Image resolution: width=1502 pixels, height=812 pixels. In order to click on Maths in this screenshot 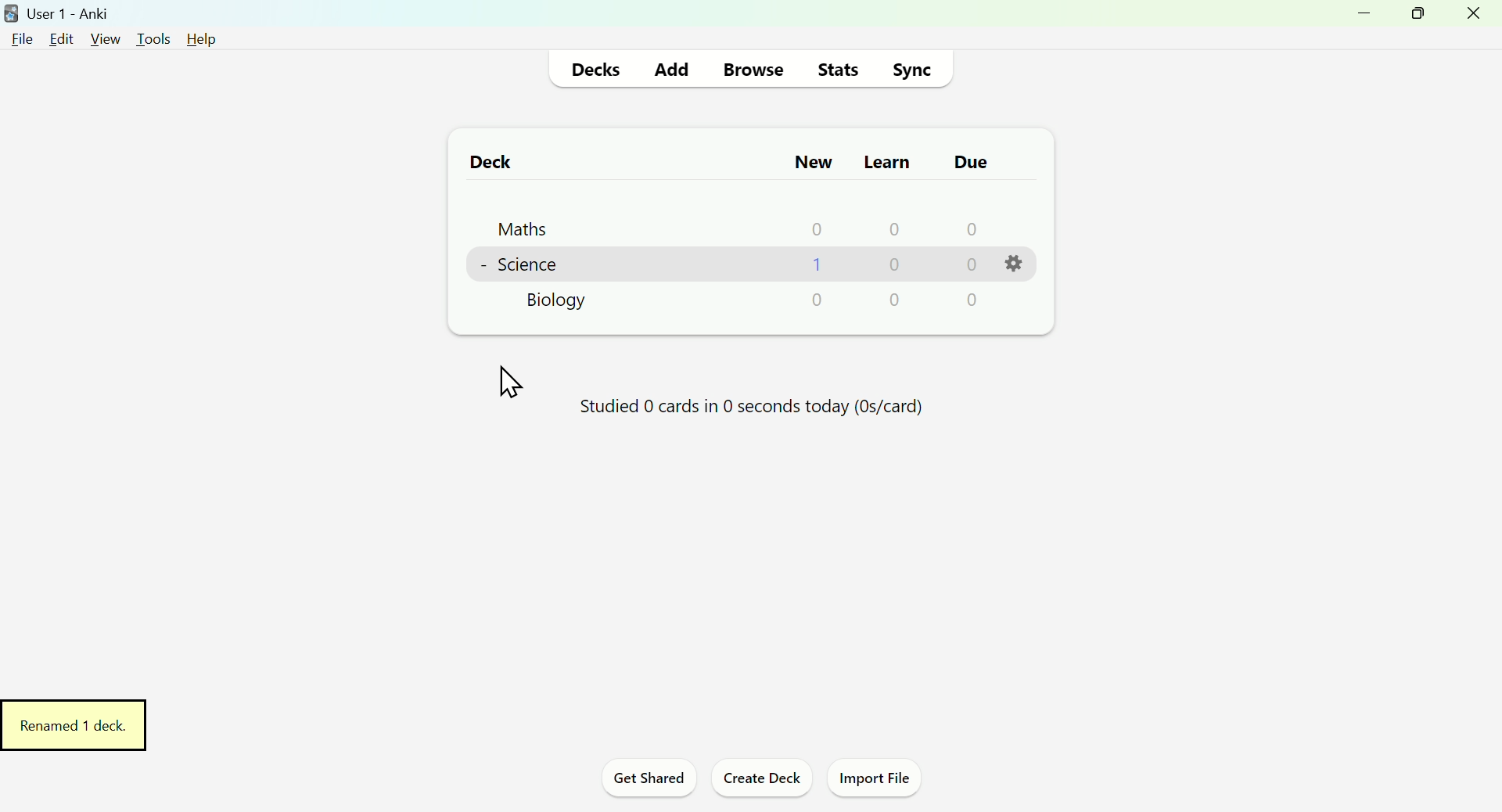, I will do `click(512, 225)`.